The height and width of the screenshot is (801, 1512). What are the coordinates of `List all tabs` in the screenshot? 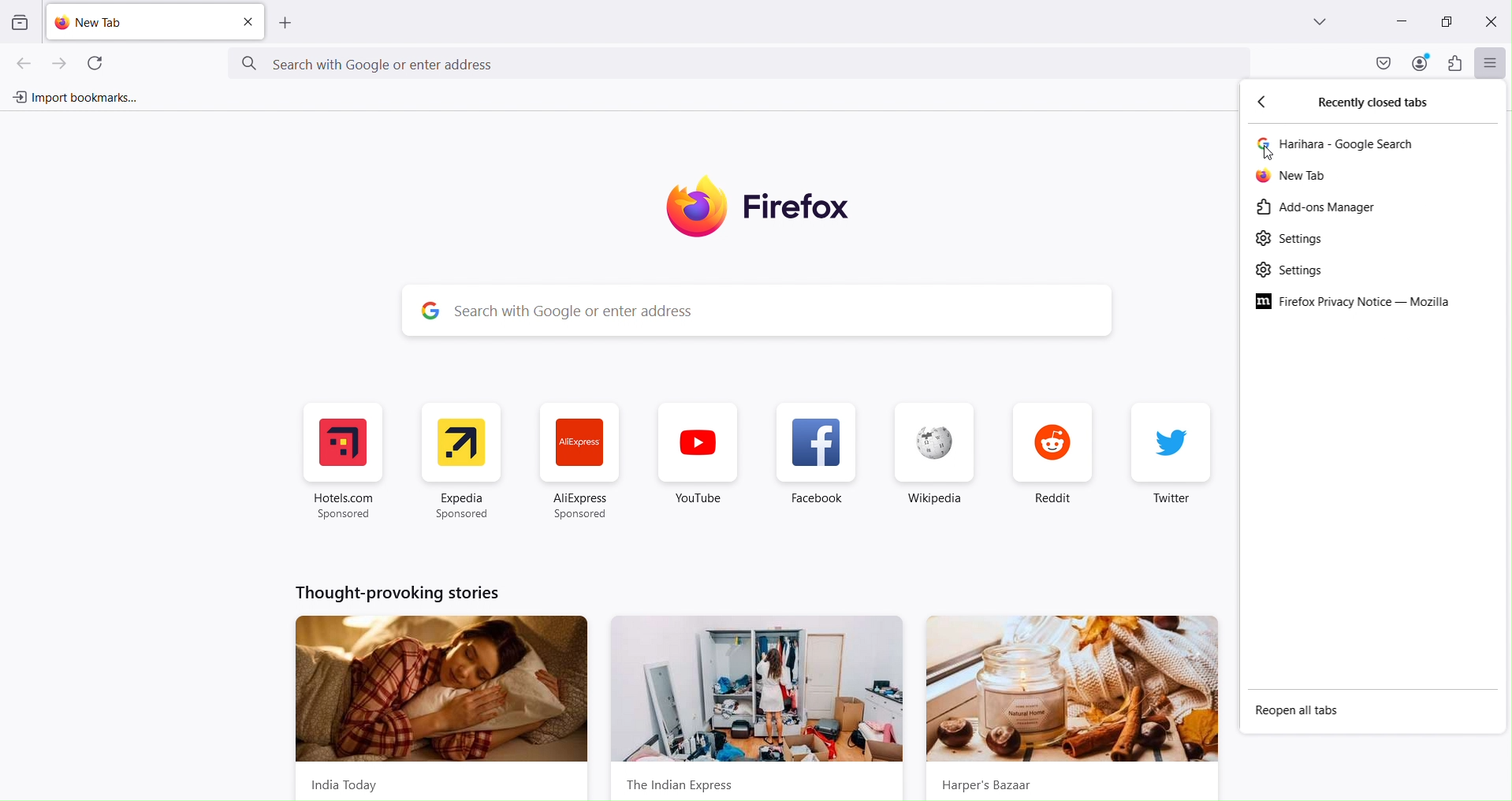 It's located at (1322, 22).